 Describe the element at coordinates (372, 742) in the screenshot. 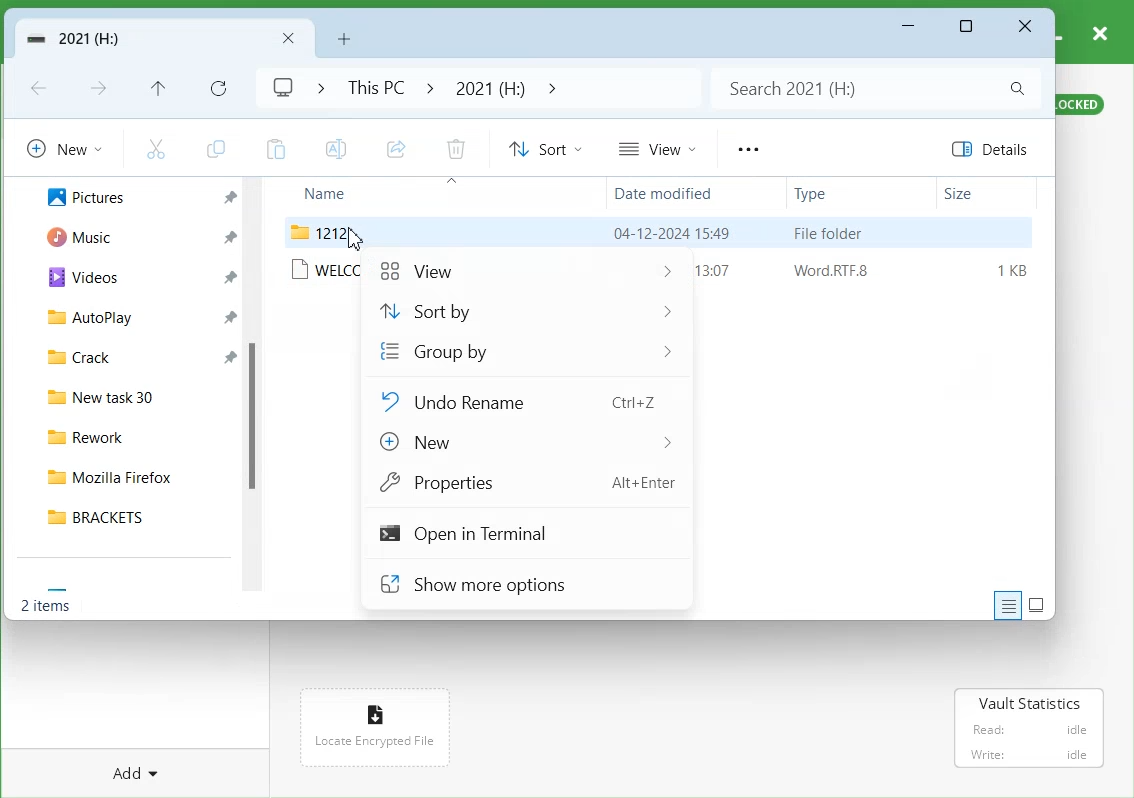

I see `Locate Encrypted File` at that location.